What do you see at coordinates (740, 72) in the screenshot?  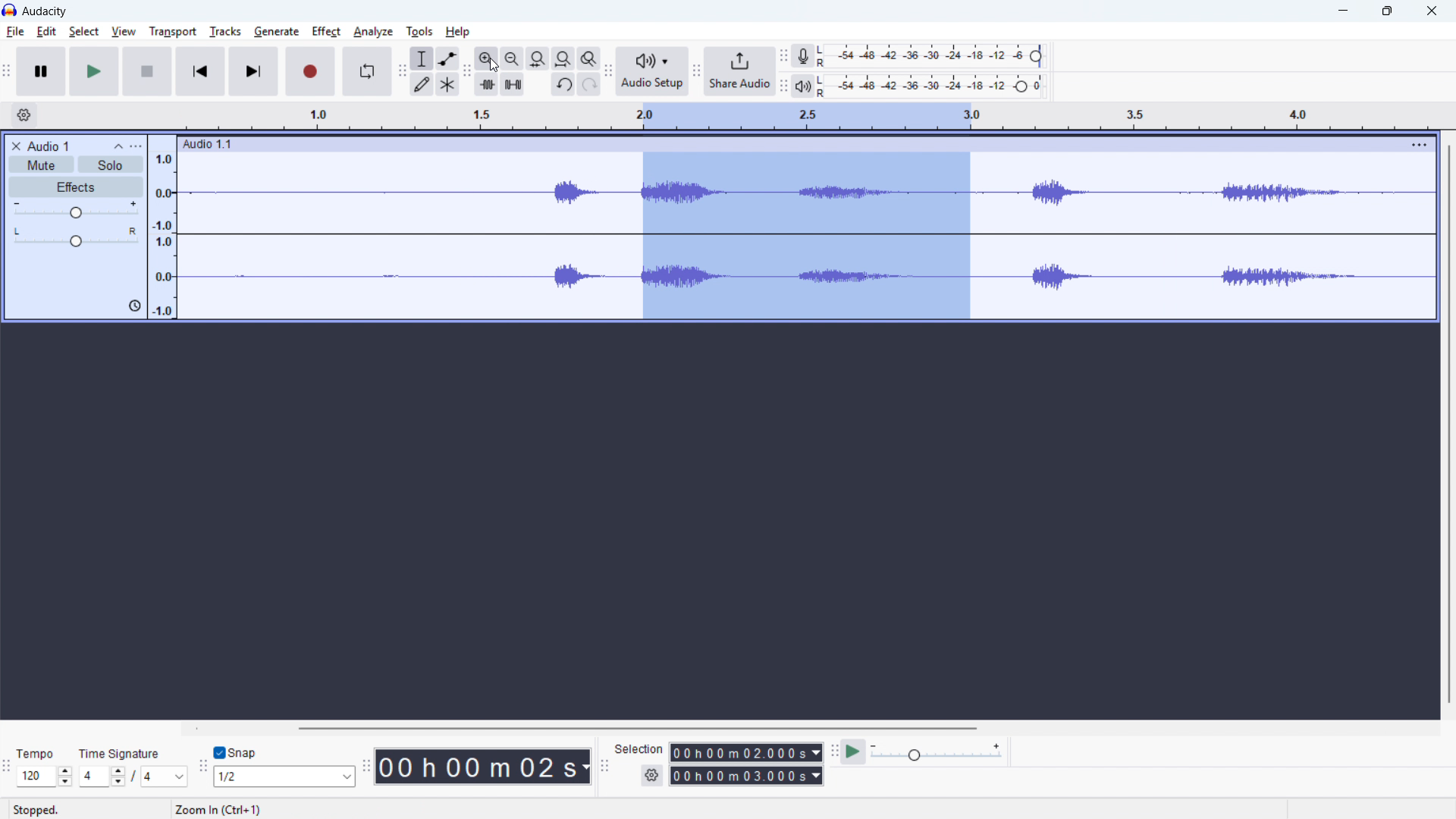 I see `Share audio` at bounding box center [740, 72].